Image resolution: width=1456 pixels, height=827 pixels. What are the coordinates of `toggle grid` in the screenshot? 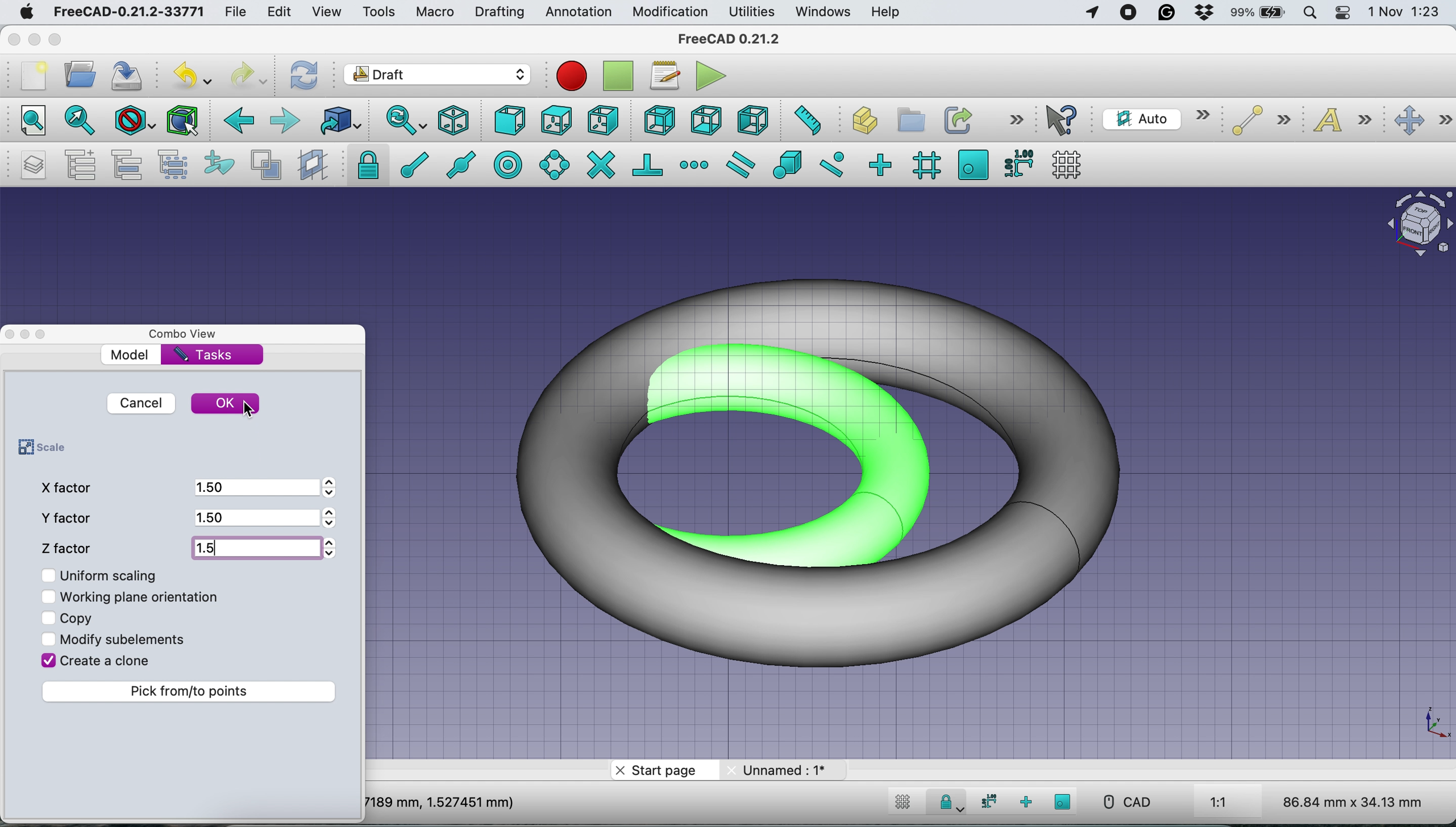 It's located at (903, 804).